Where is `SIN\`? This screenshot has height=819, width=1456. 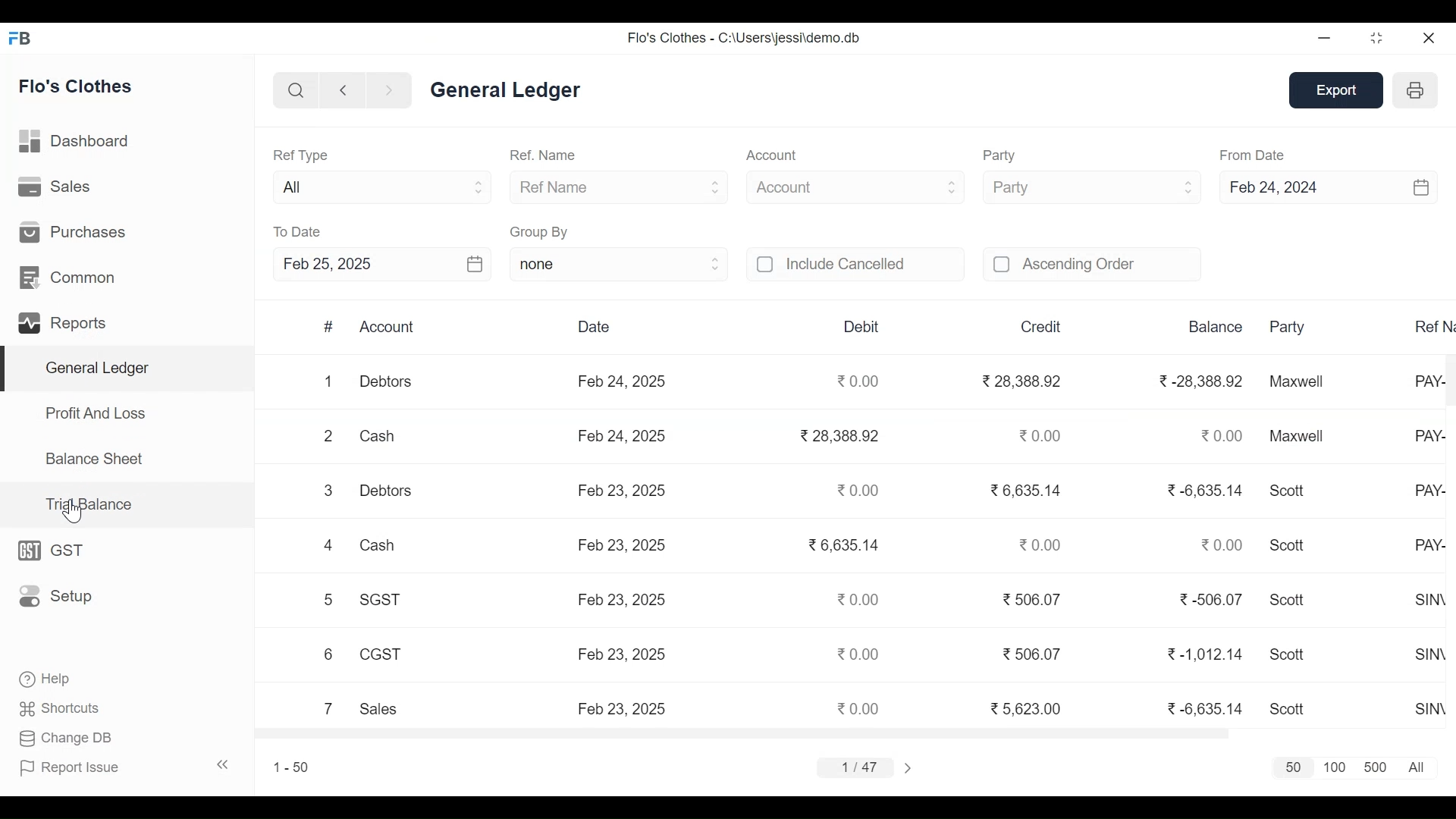
SIN\ is located at coordinates (1432, 653).